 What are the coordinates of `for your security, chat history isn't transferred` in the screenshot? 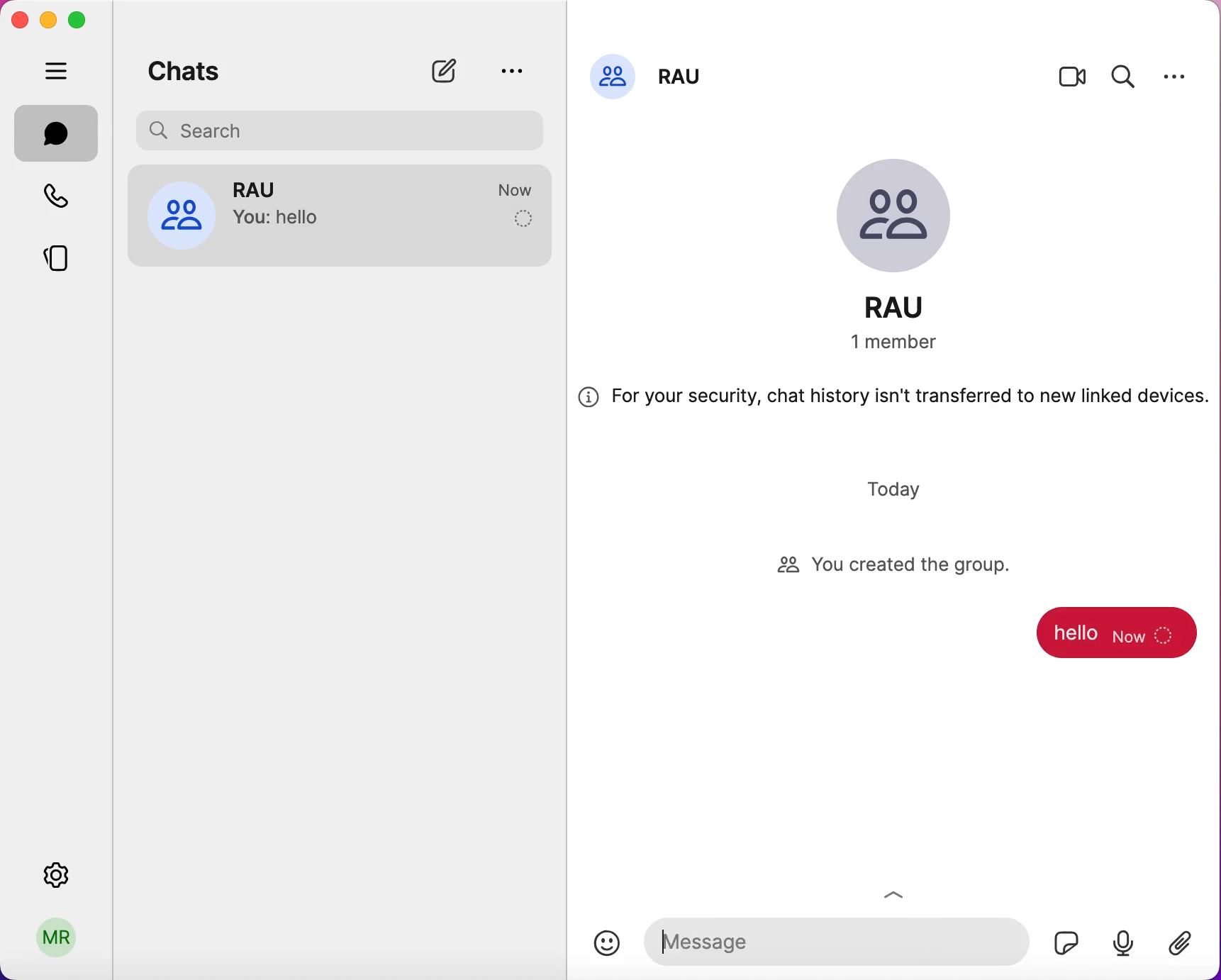 It's located at (893, 402).